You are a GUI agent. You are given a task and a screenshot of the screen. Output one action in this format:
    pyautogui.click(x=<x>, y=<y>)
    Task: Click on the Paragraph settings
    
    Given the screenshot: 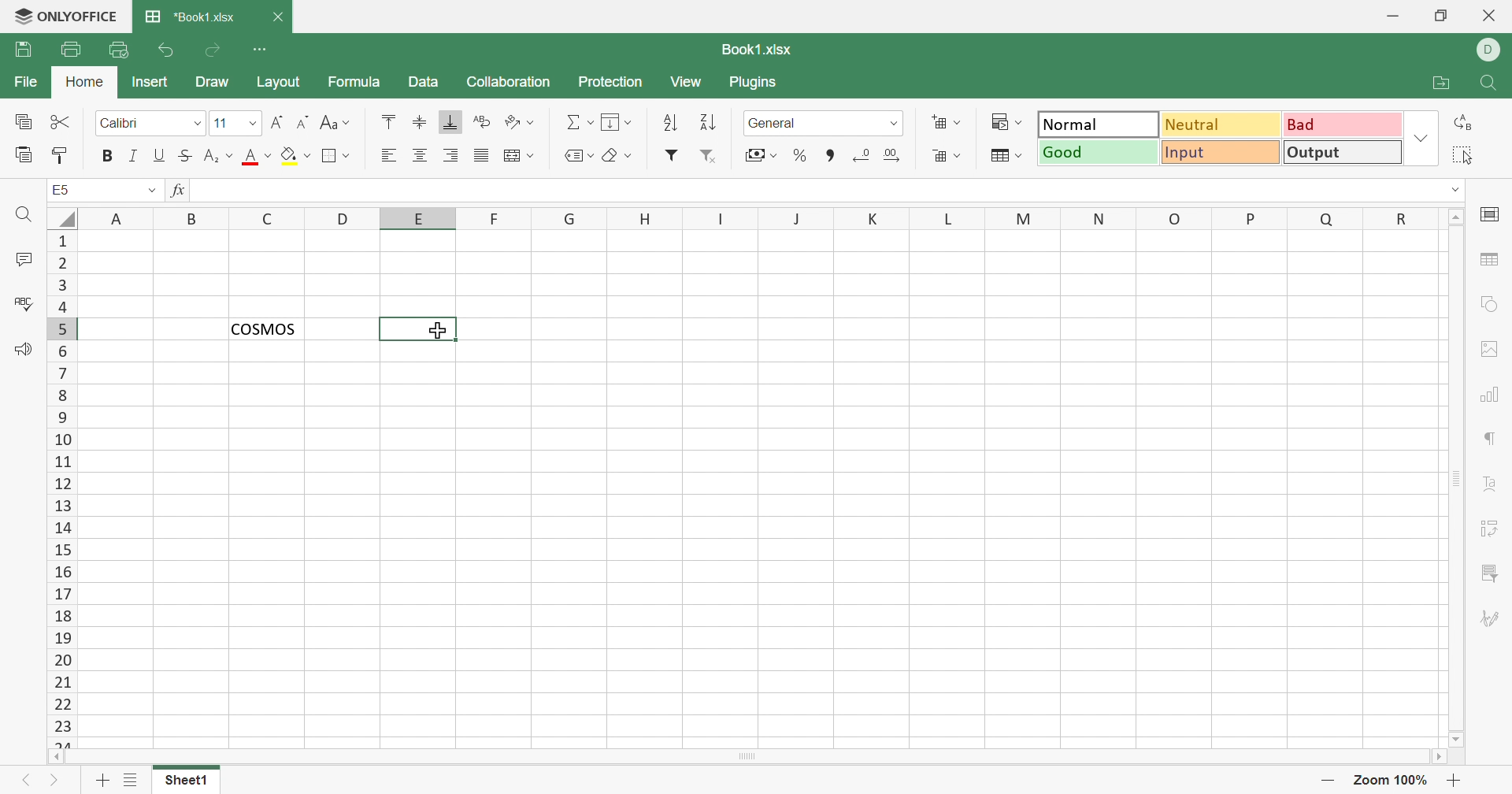 What is the action you would take?
    pyautogui.click(x=1488, y=441)
    